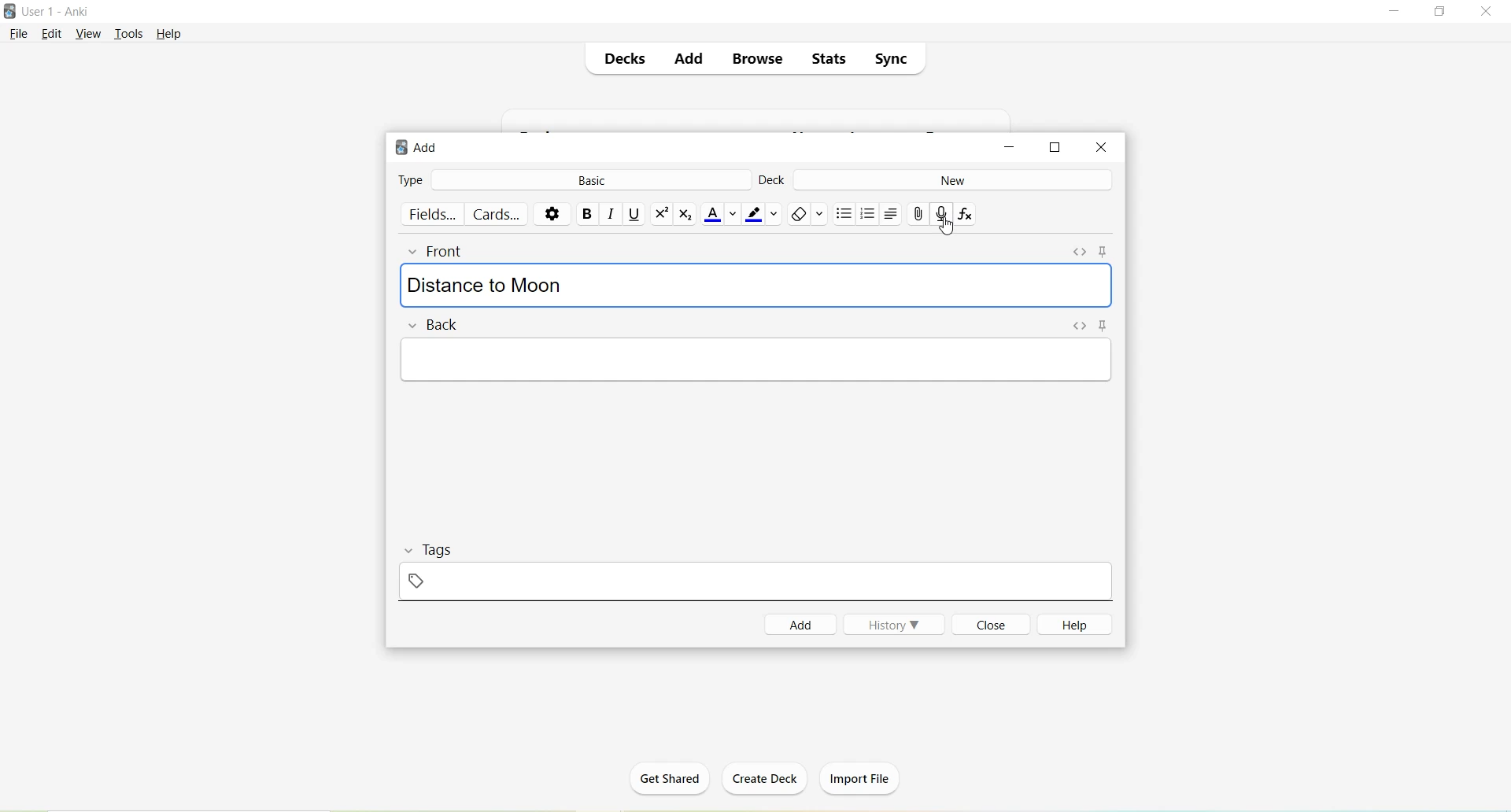 The height and width of the screenshot is (812, 1511). Describe the element at coordinates (56, 35) in the screenshot. I see `Edit` at that location.